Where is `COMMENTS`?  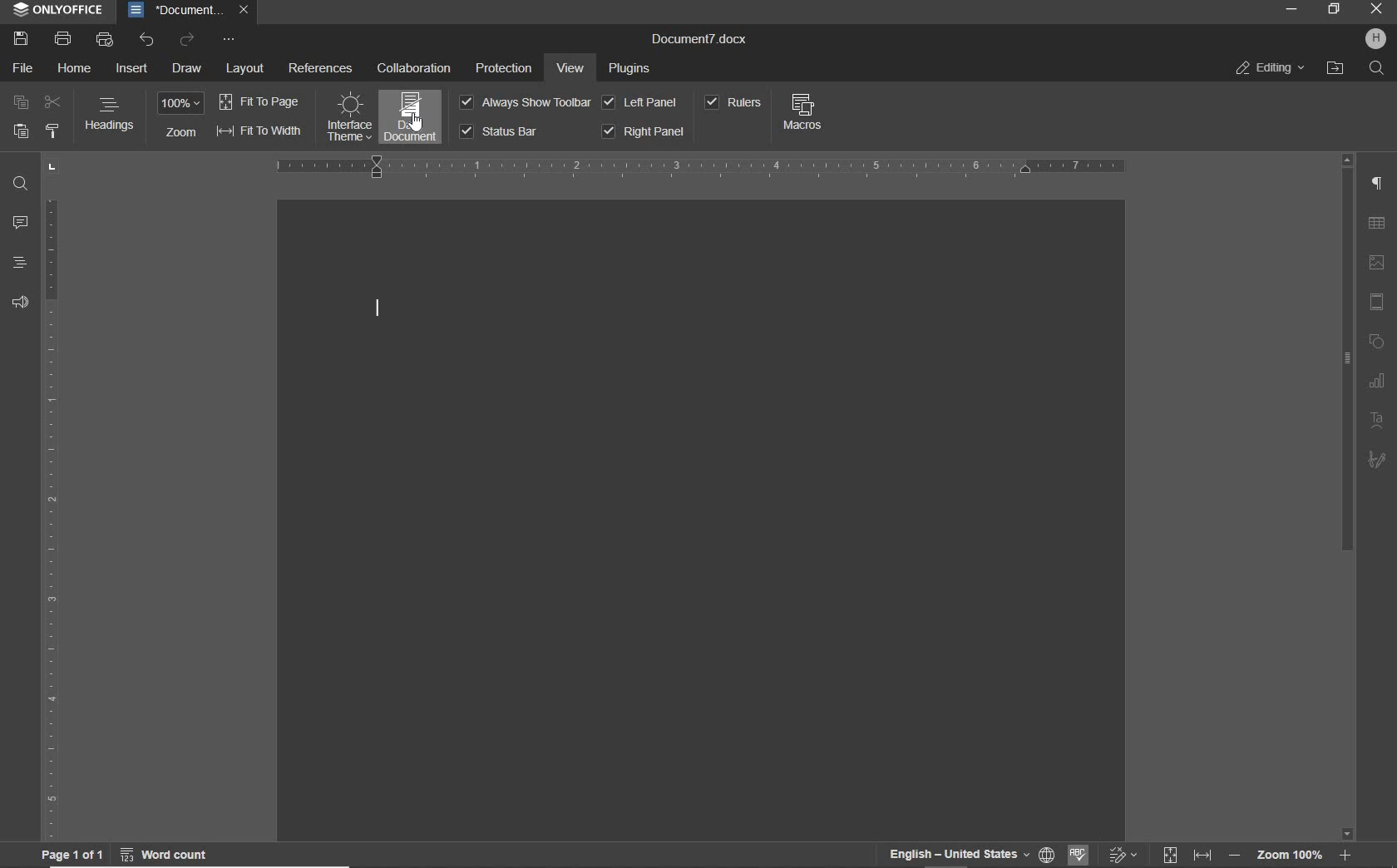
COMMENTS is located at coordinates (19, 221).